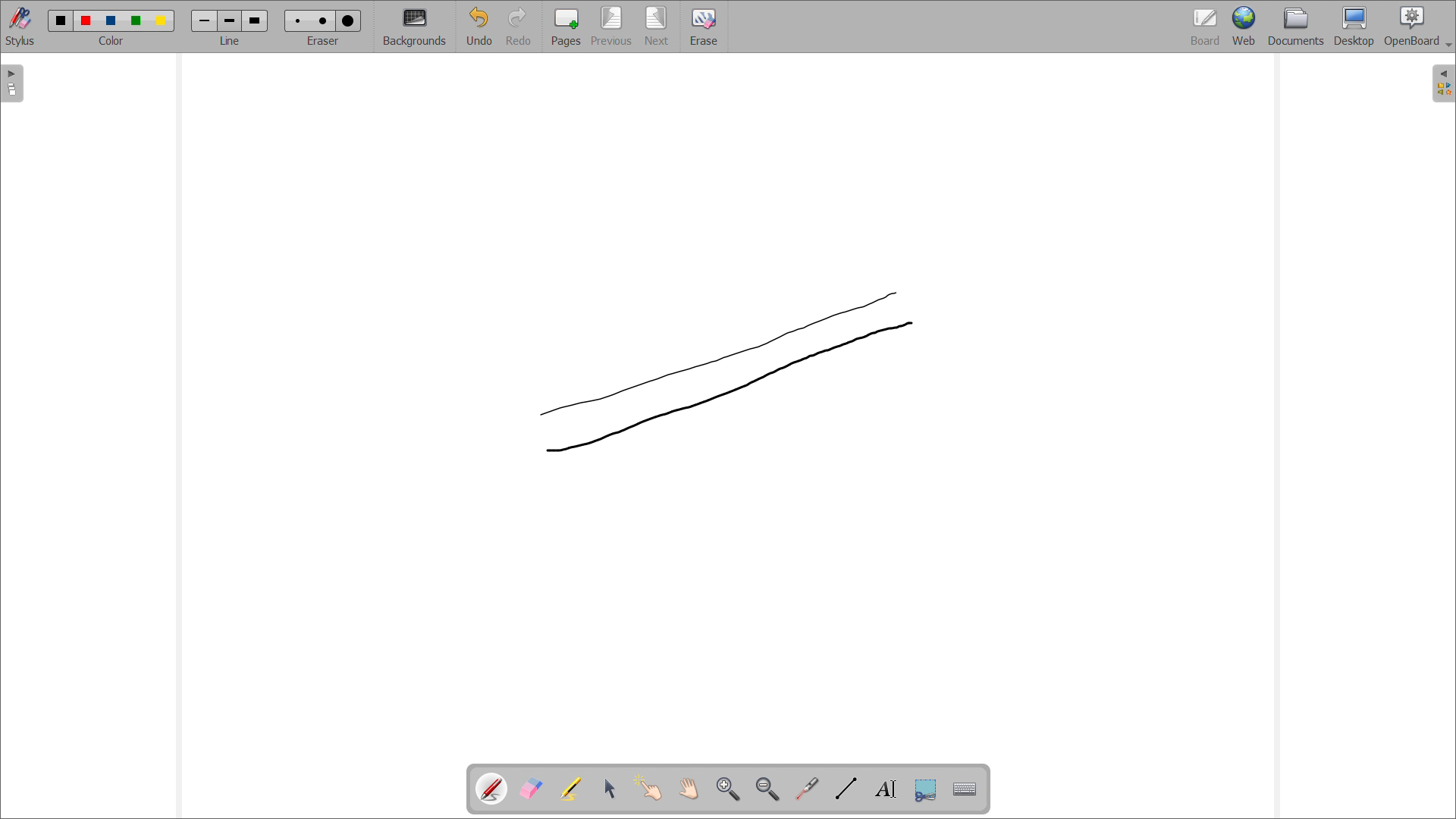  I want to click on virtual laser pointer, so click(808, 787).